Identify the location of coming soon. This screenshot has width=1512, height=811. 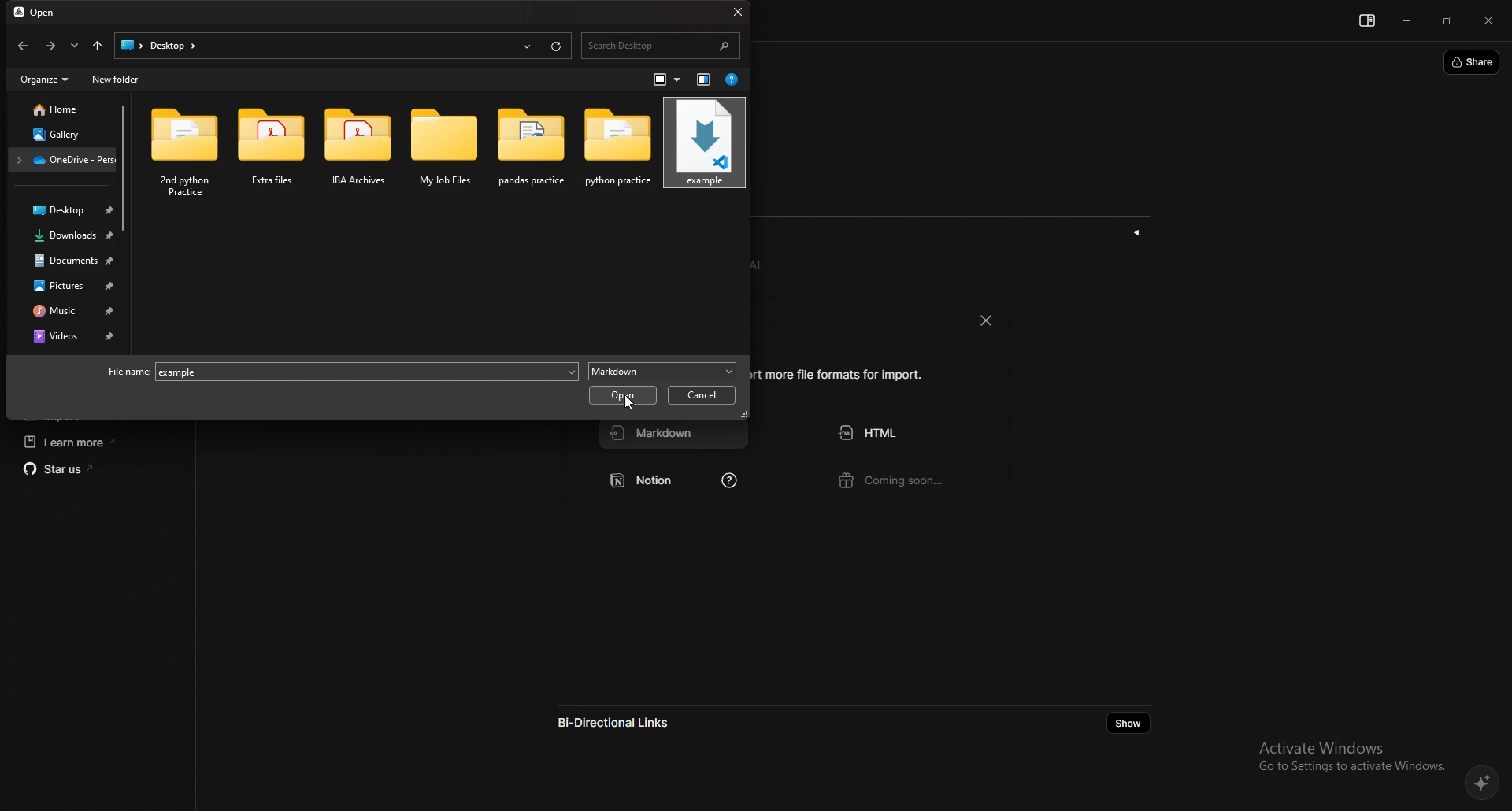
(903, 483).